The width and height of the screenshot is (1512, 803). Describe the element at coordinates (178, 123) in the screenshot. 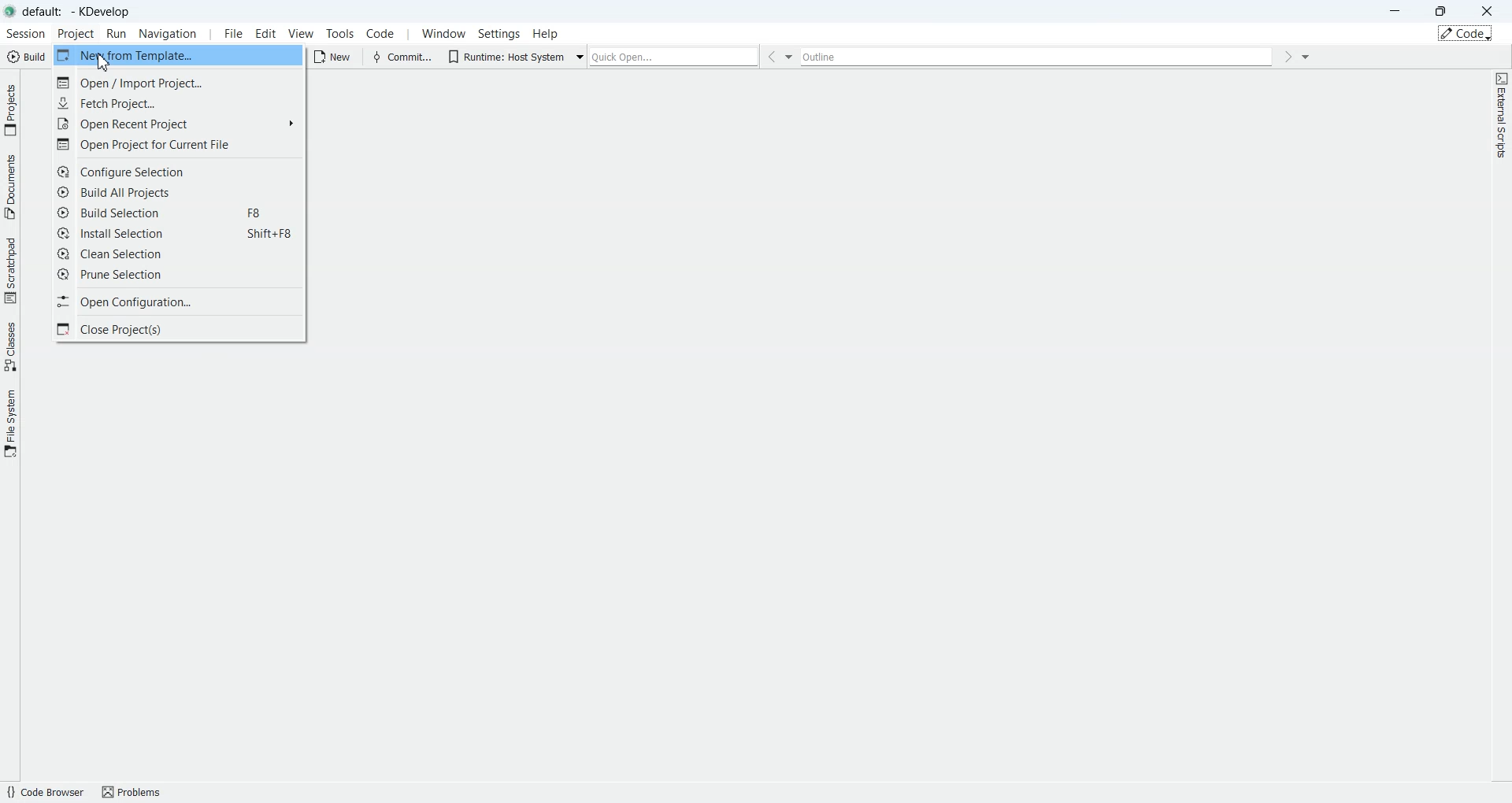

I see `Open Recent Project` at that location.